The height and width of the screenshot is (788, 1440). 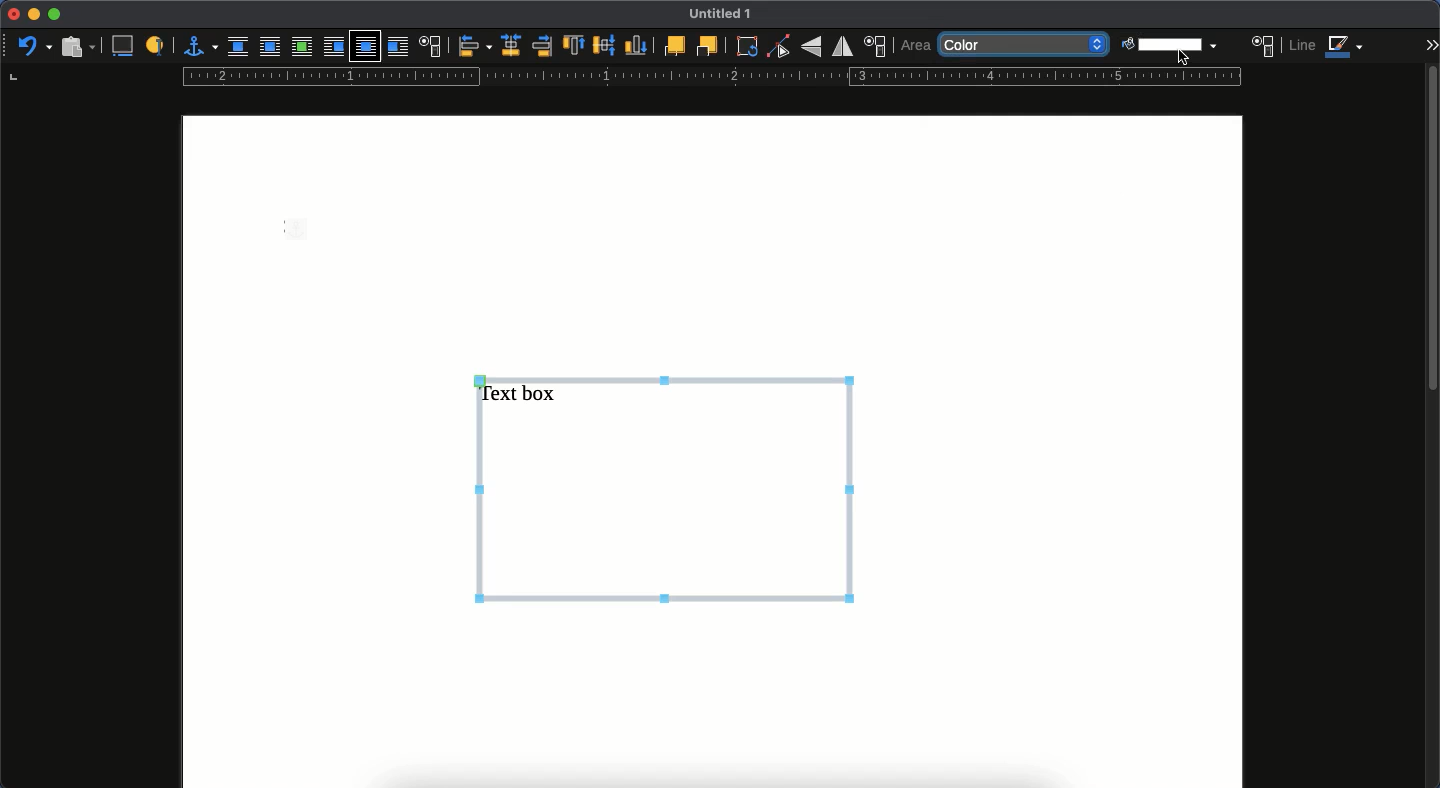 I want to click on none, so click(x=1025, y=46).